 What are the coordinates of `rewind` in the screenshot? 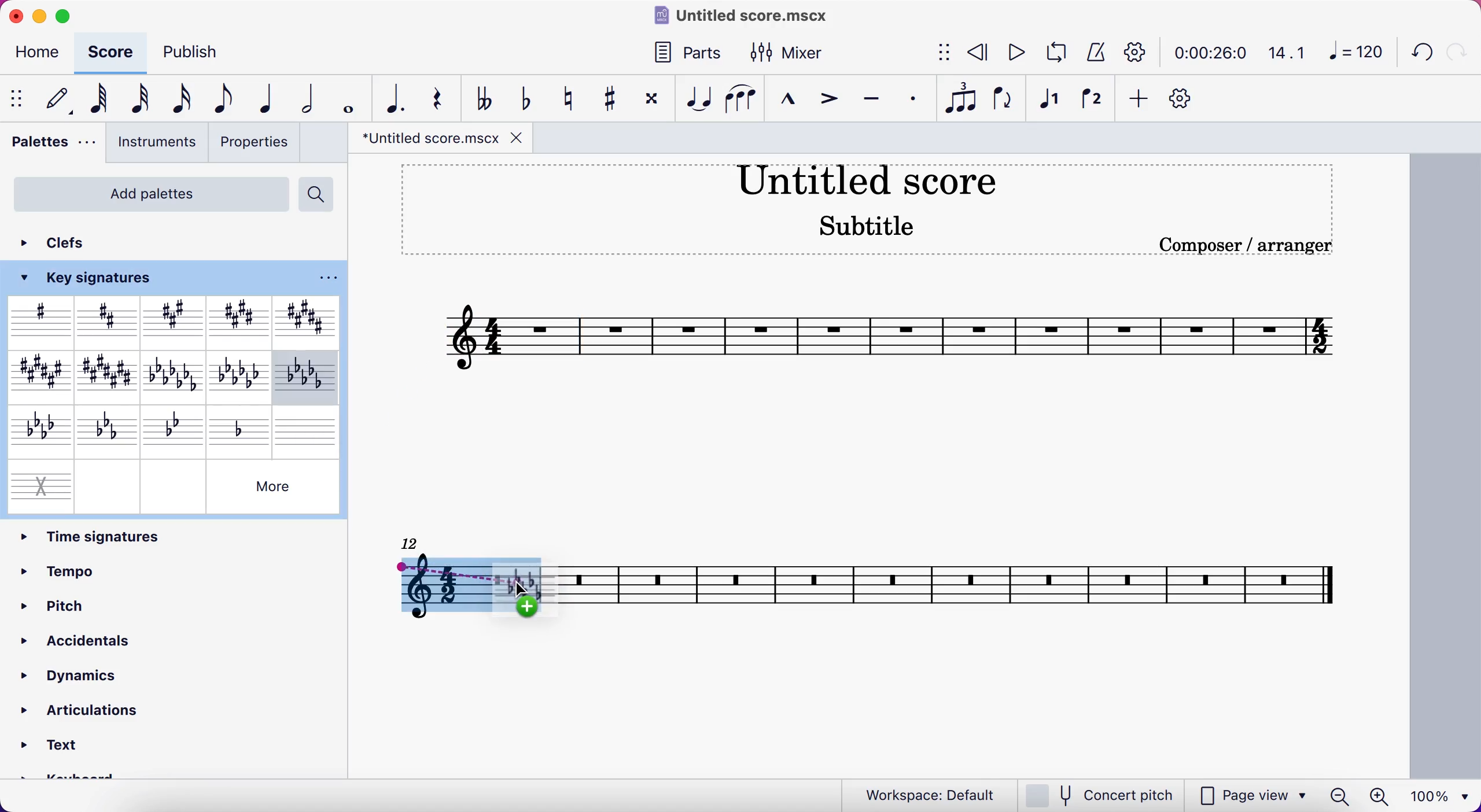 It's located at (978, 53).